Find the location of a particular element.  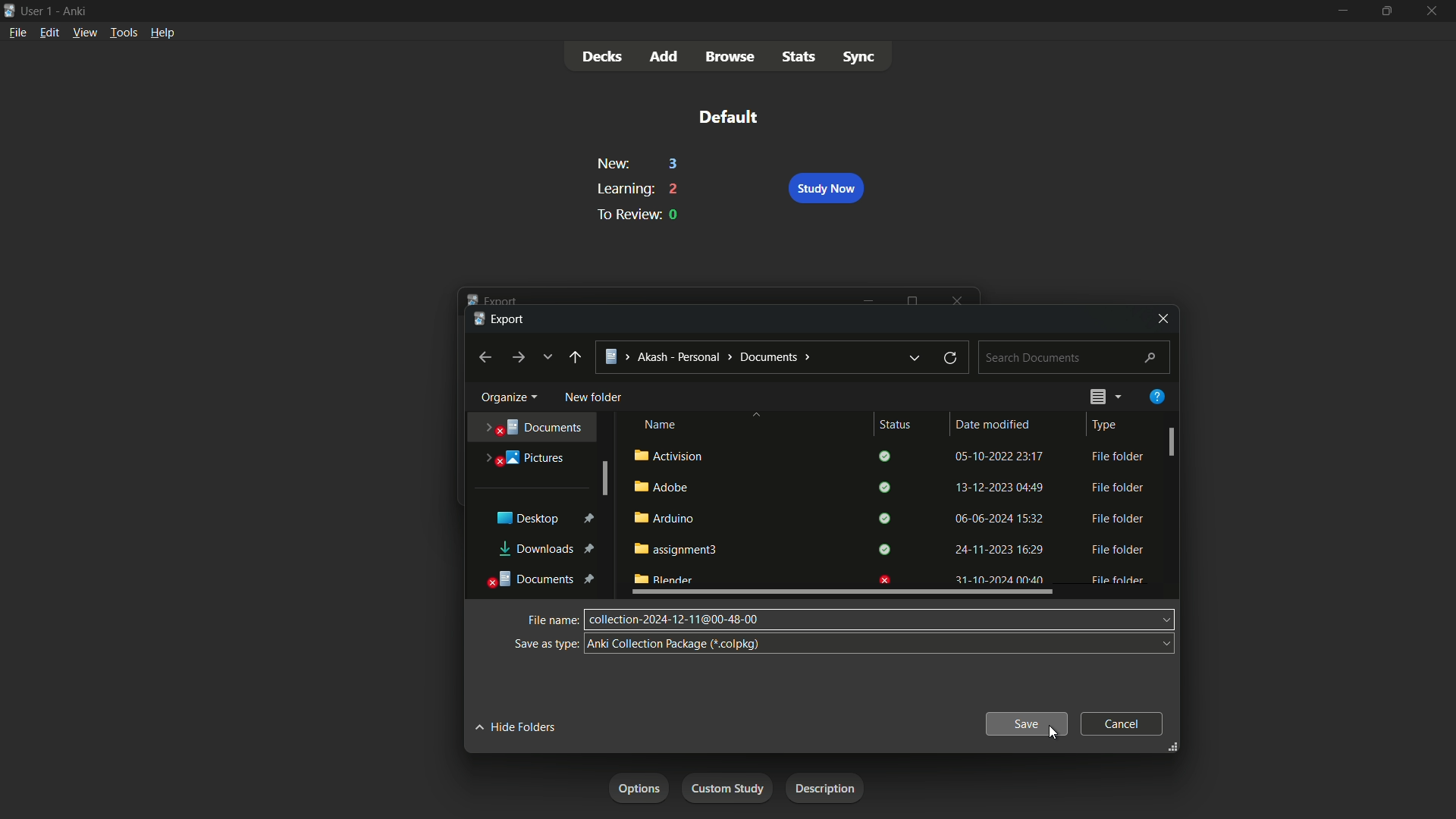

exporrt is located at coordinates (495, 298).